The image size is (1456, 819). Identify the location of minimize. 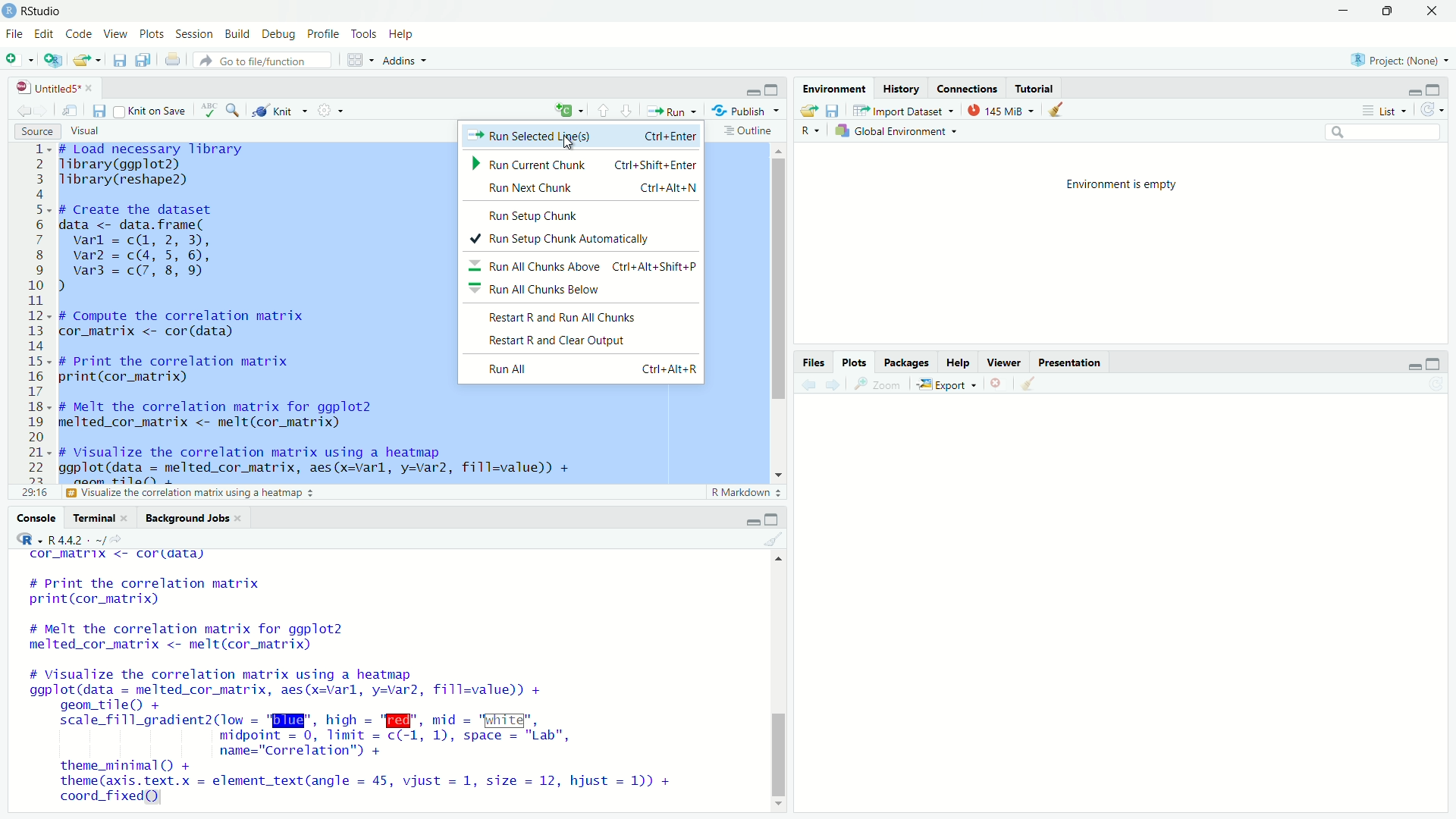
(753, 519).